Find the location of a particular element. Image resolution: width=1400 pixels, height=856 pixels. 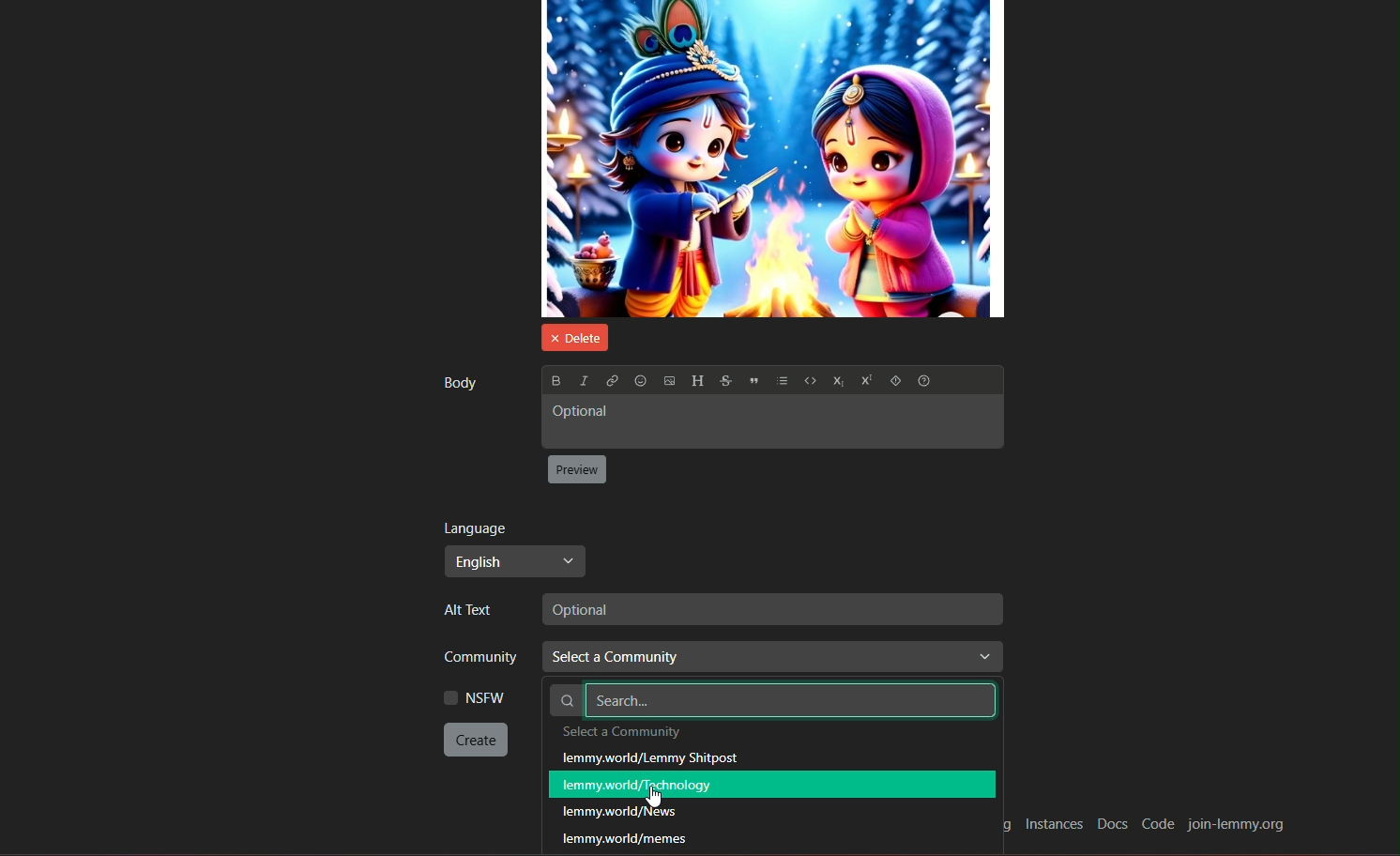

Delete is located at coordinates (571, 336).